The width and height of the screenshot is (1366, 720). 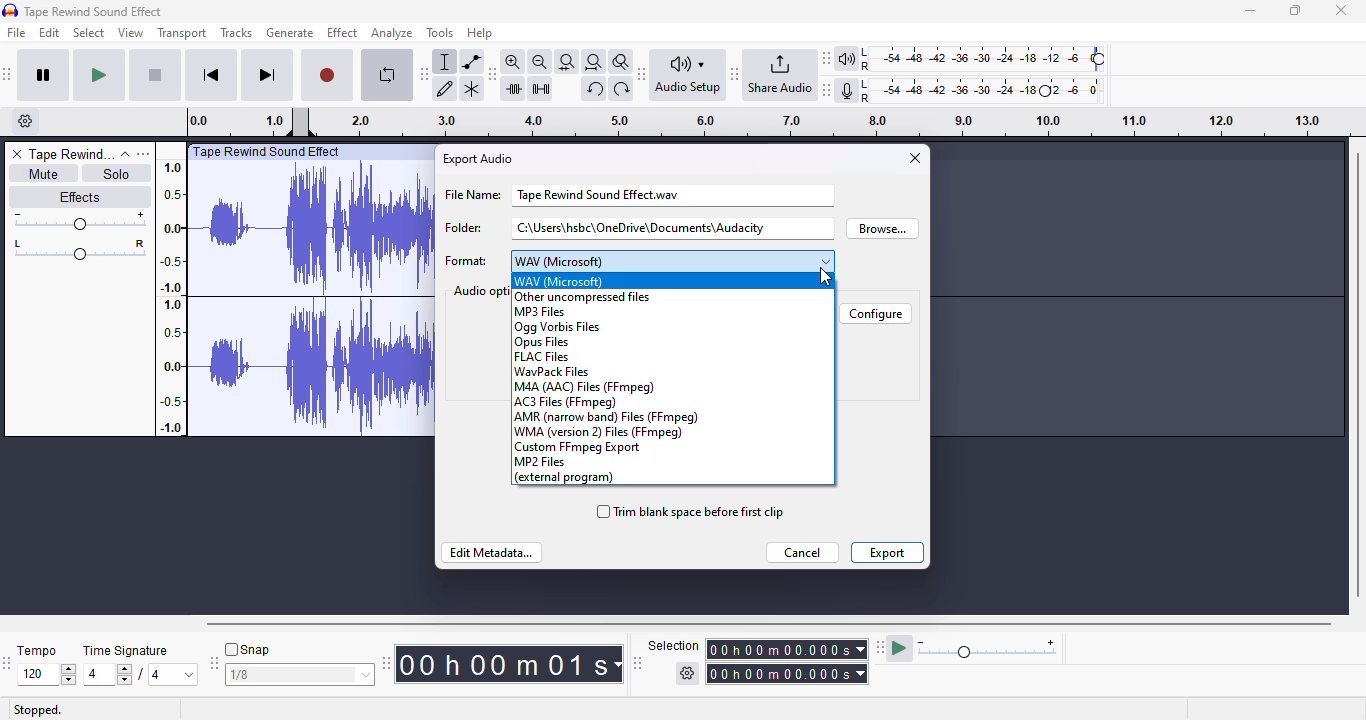 I want to click on zoom out, so click(x=540, y=61).